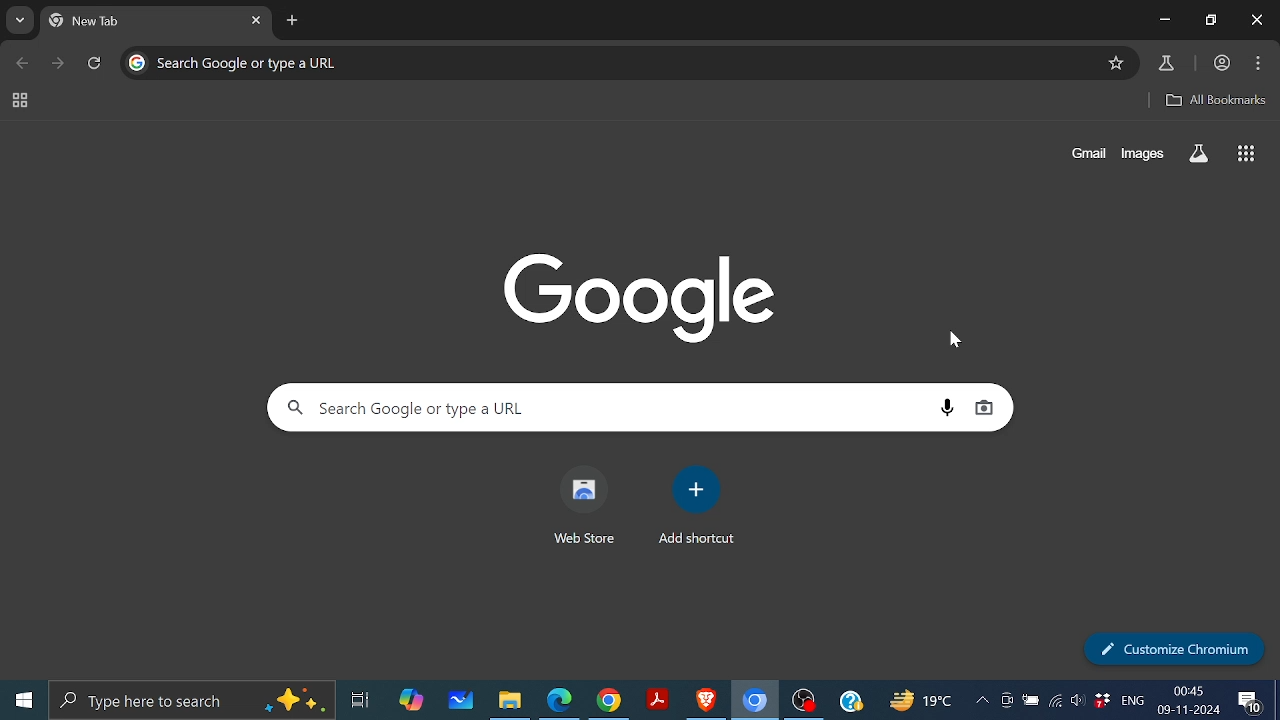 Image resolution: width=1280 pixels, height=720 pixels. Describe the element at coordinates (294, 20) in the screenshot. I see `Add new tab` at that location.